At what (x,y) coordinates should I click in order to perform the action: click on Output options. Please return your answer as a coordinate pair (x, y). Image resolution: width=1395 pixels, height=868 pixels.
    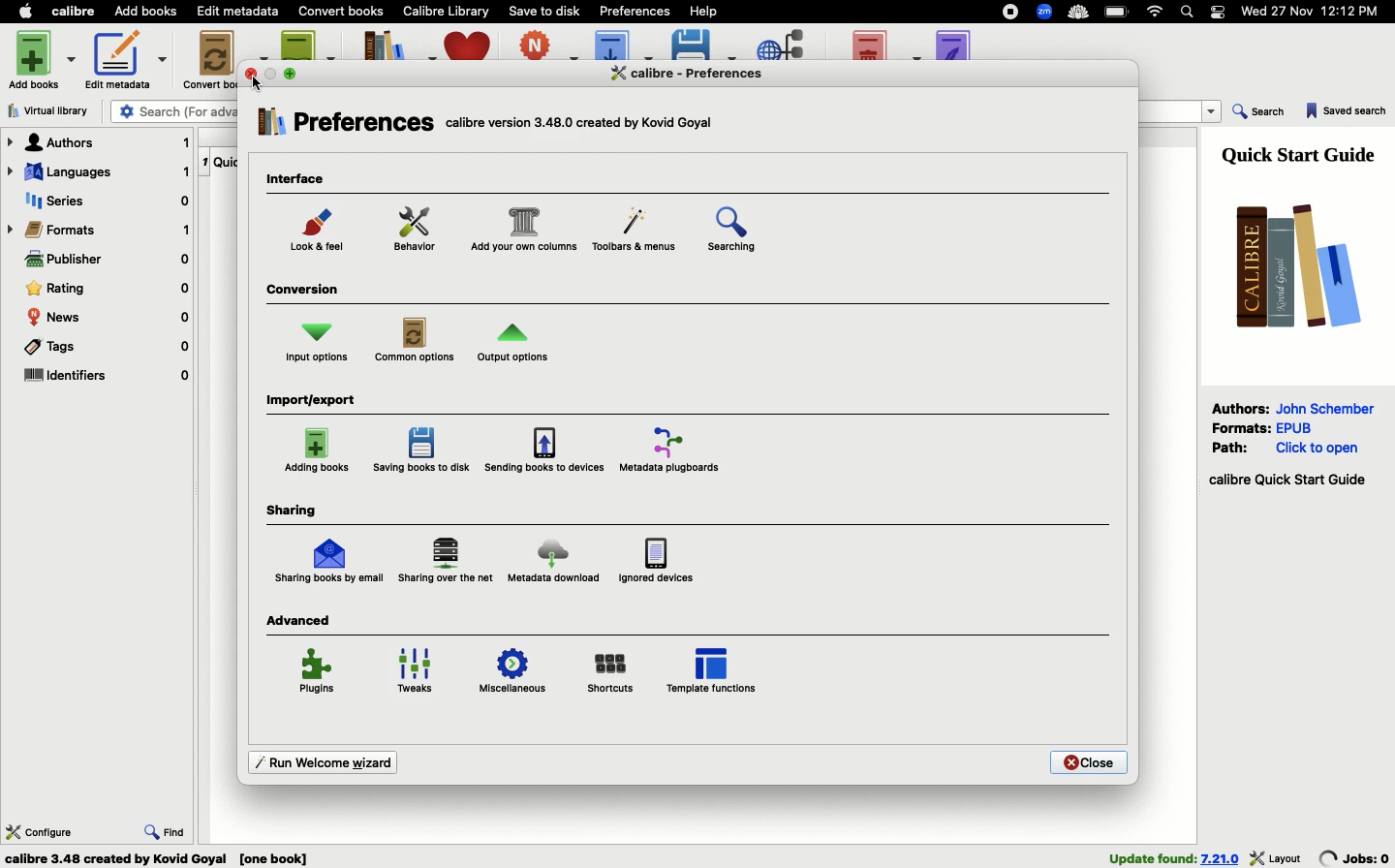
    Looking at the image, I should click on (513, 341).